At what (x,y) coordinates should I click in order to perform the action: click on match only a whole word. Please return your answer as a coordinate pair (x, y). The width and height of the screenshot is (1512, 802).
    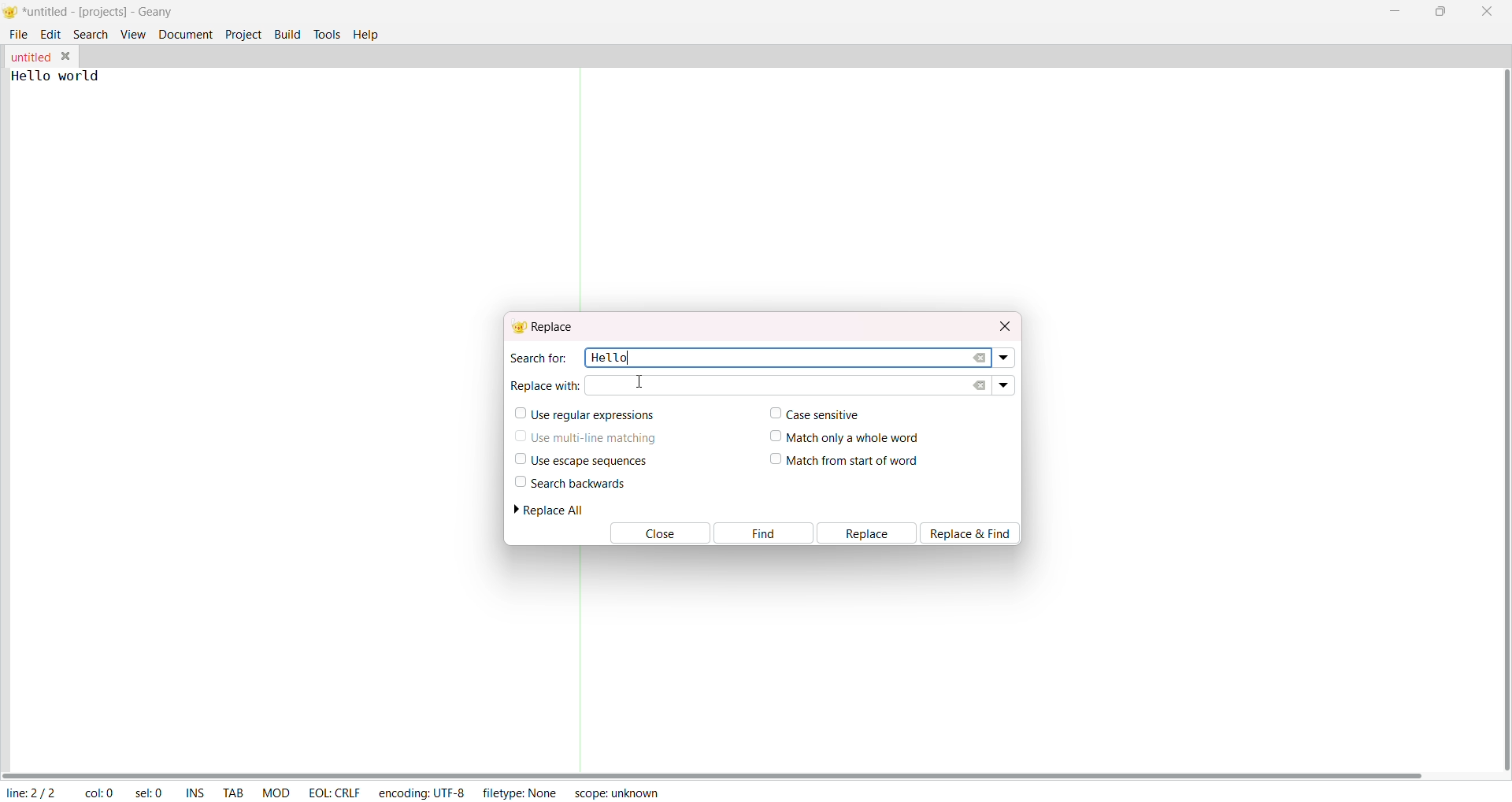
    Looking at the image, I should click on (847, 436).